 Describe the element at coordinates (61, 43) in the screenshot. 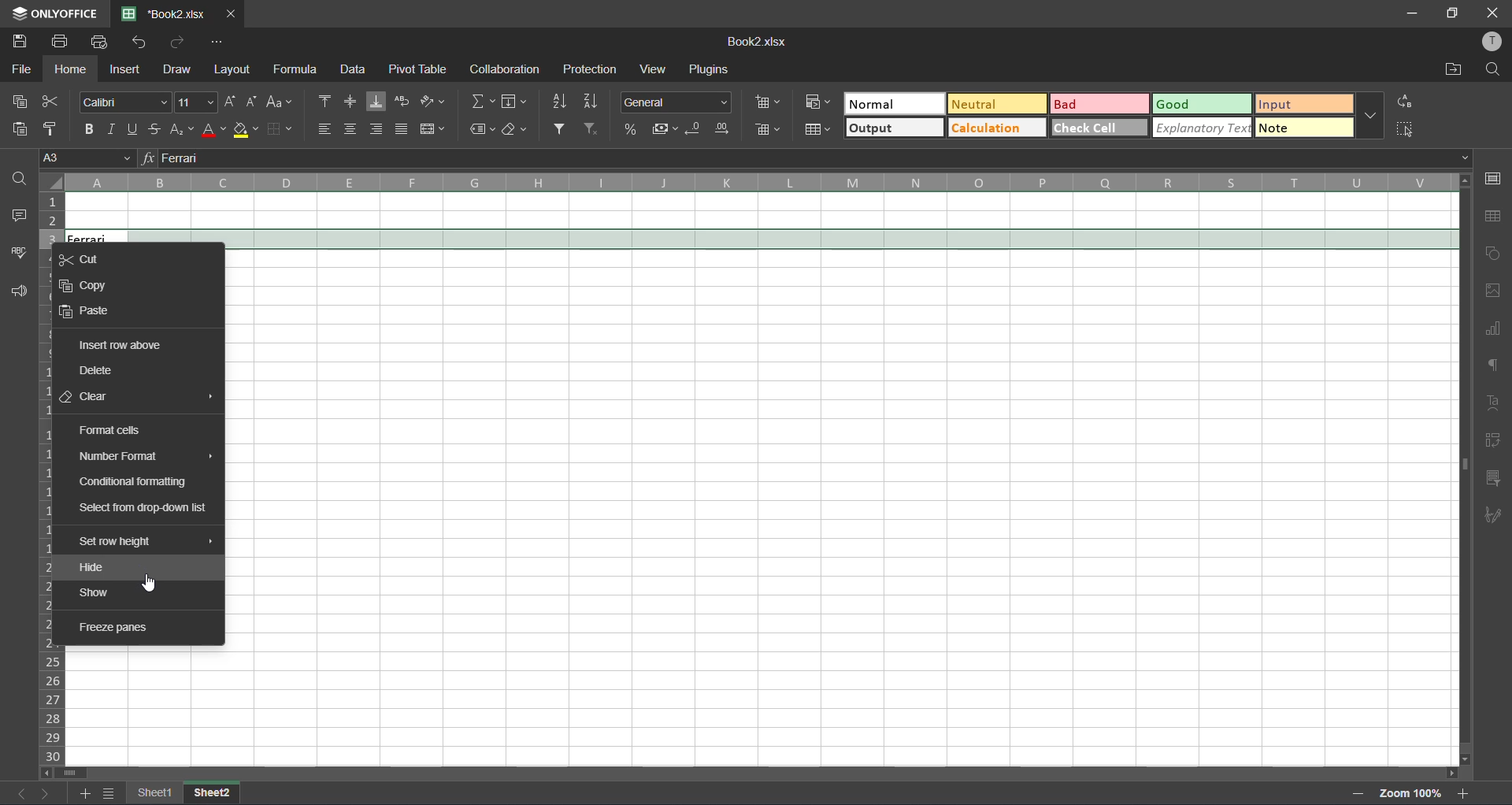

I see `print` at that location.